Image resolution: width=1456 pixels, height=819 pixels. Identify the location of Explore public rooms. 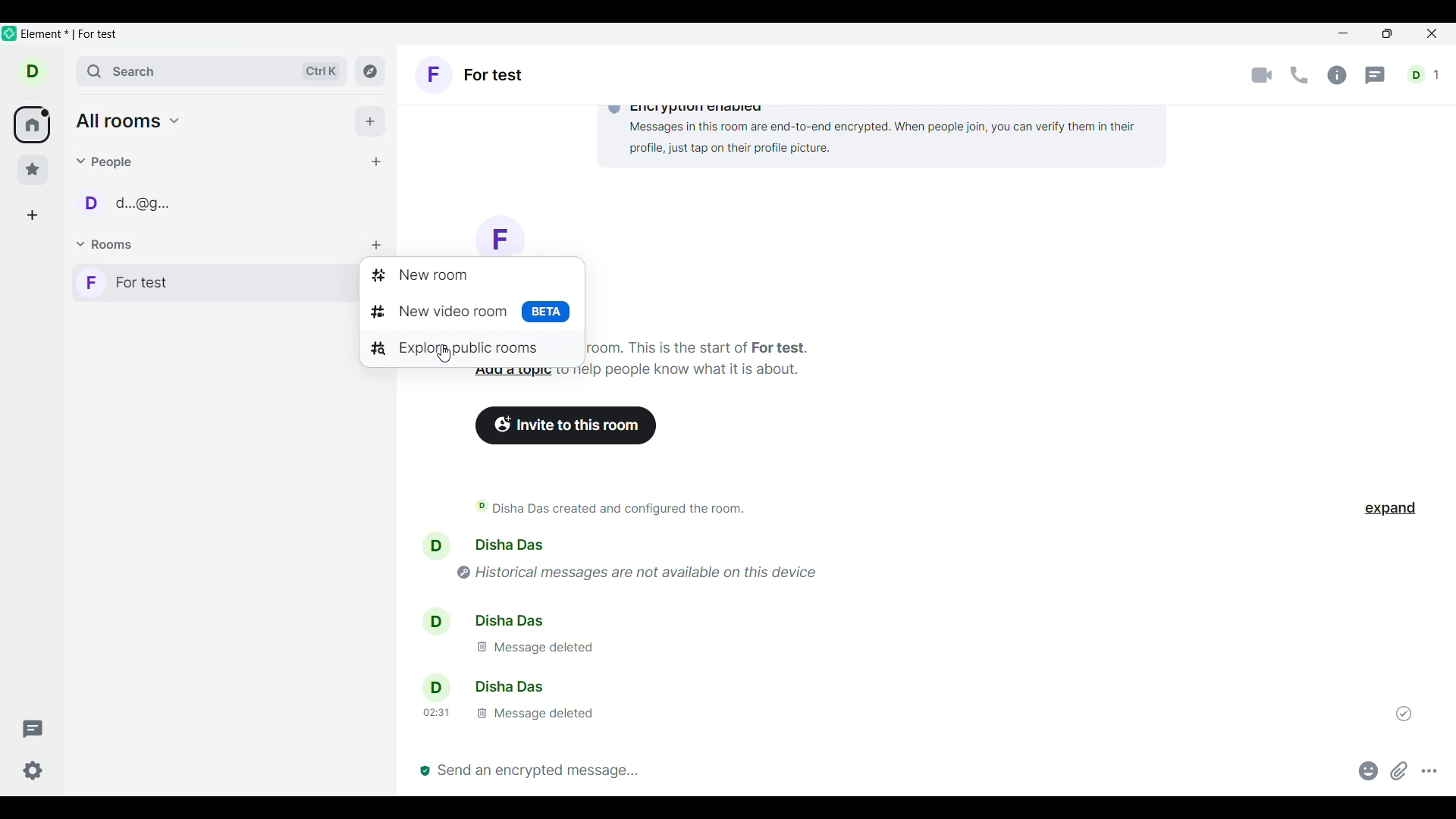
(465, 345).